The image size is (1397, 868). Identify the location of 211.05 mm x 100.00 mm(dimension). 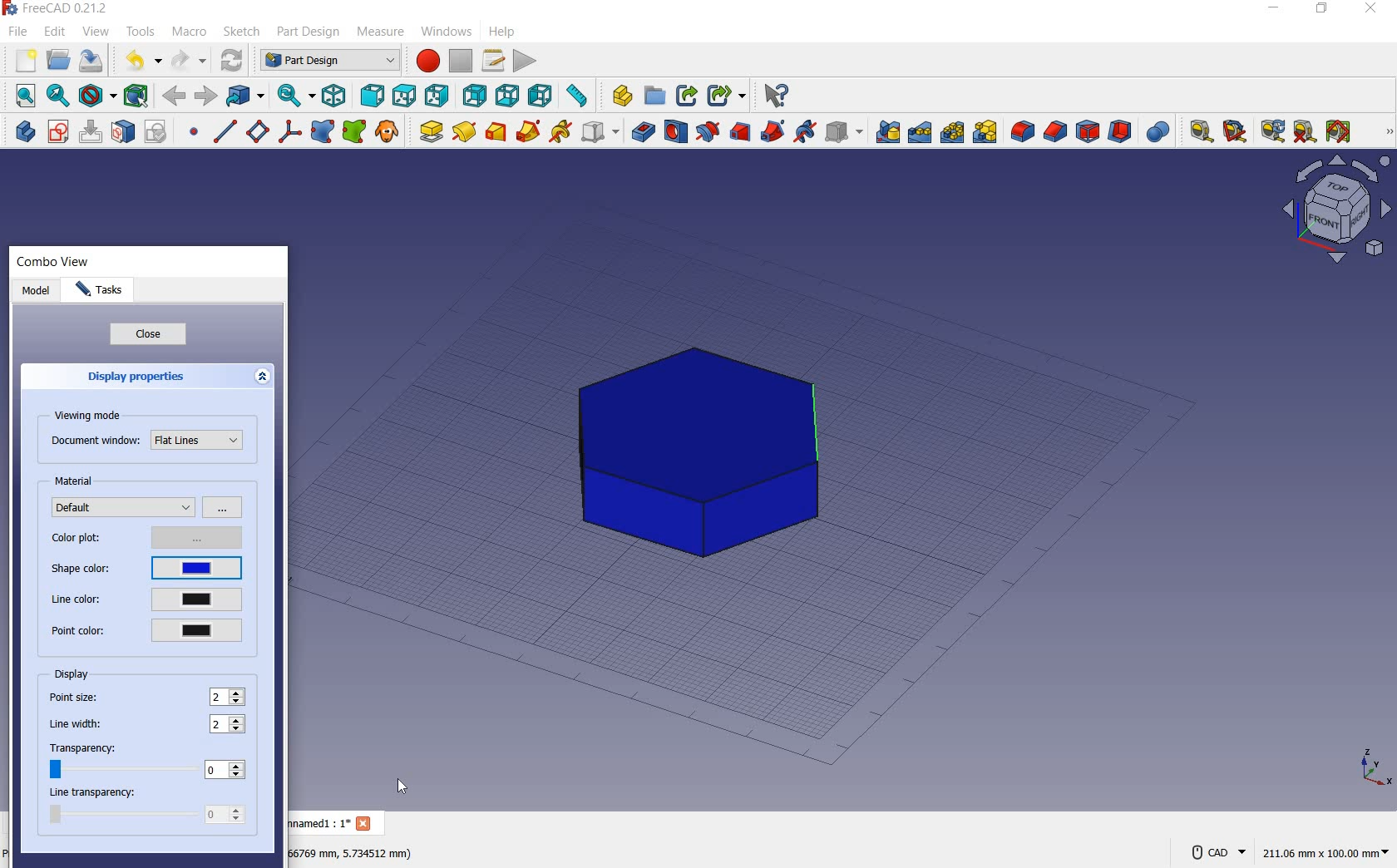
(1325, 855).